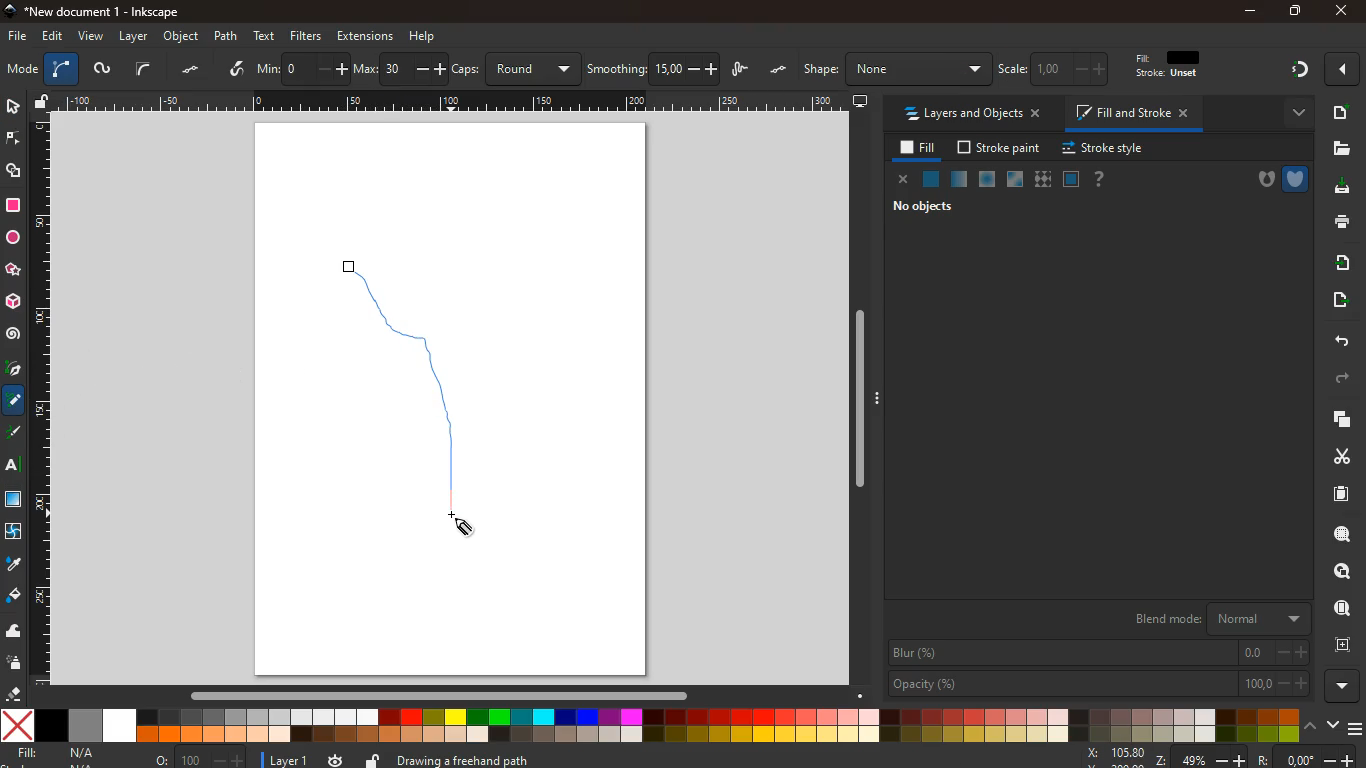 The height and width of the screenshot is (768, 1366). I want to click on stroke style, so click(1106, 149).